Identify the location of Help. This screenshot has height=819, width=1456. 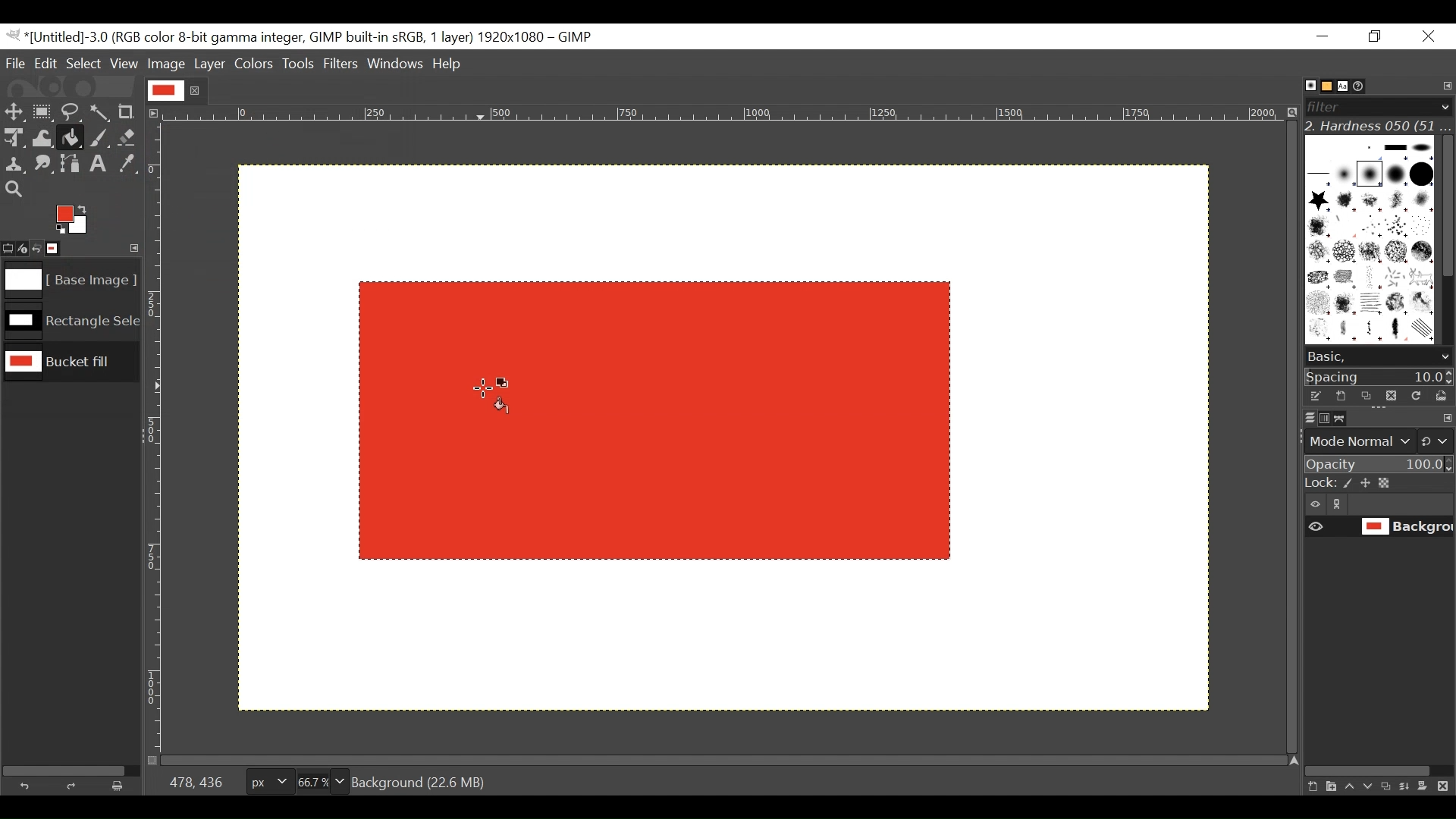
(450, 65).